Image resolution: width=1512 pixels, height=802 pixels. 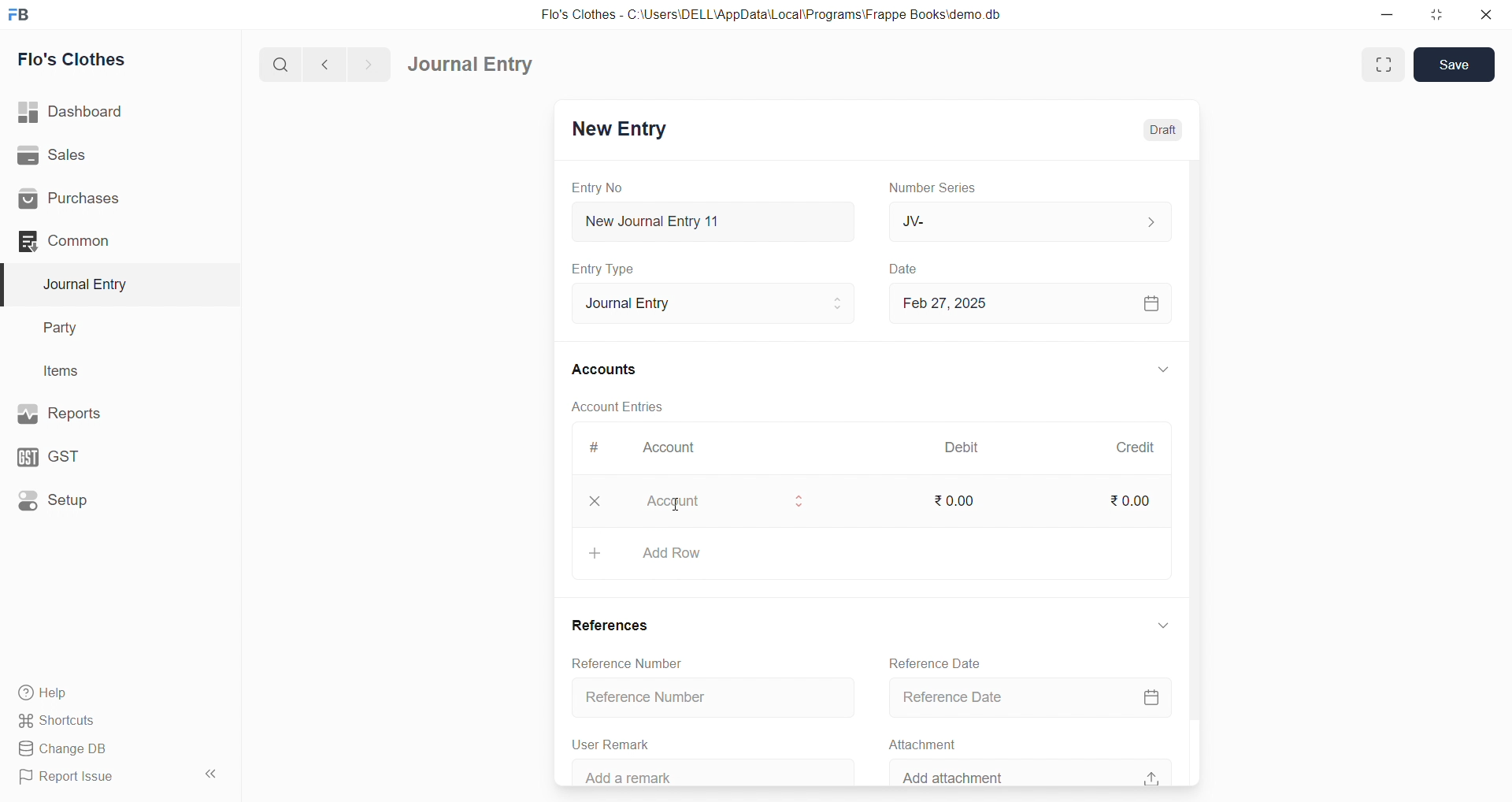 What do you see at coordinates (1384, 13) in the screenshot?
I see `minimize` at bounding box center [1384, 13].